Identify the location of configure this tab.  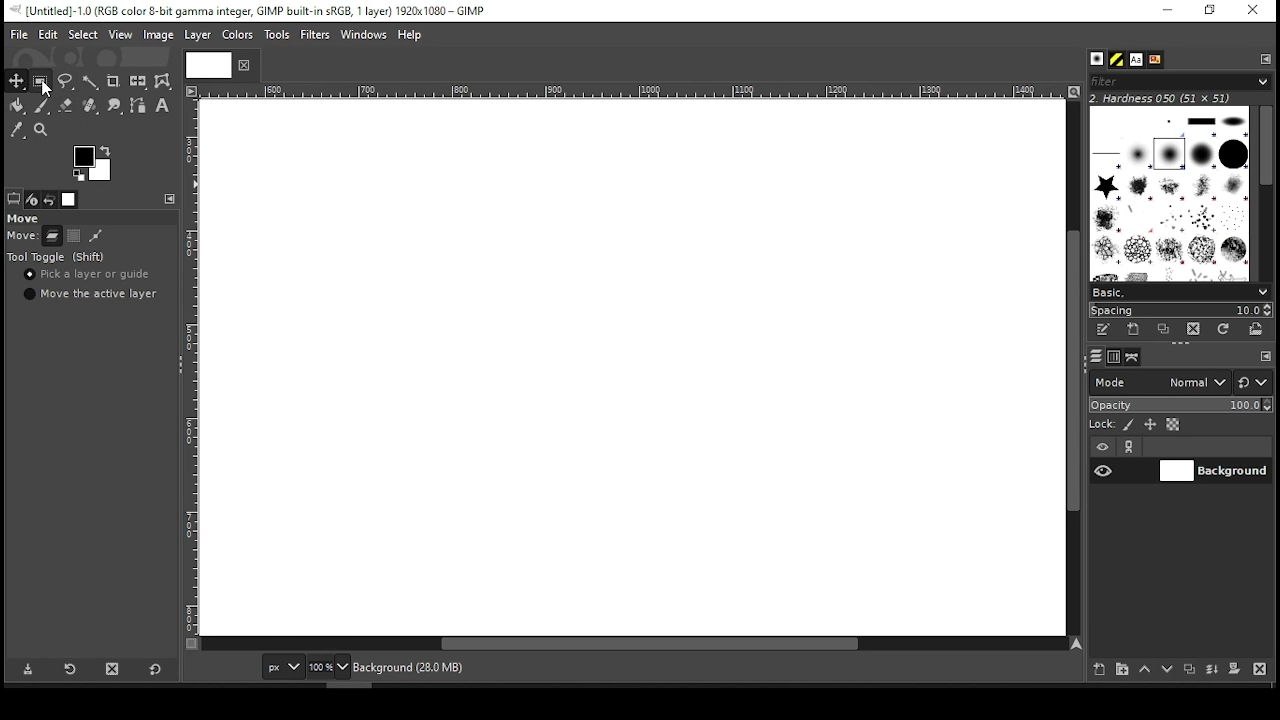
(1267, 58).